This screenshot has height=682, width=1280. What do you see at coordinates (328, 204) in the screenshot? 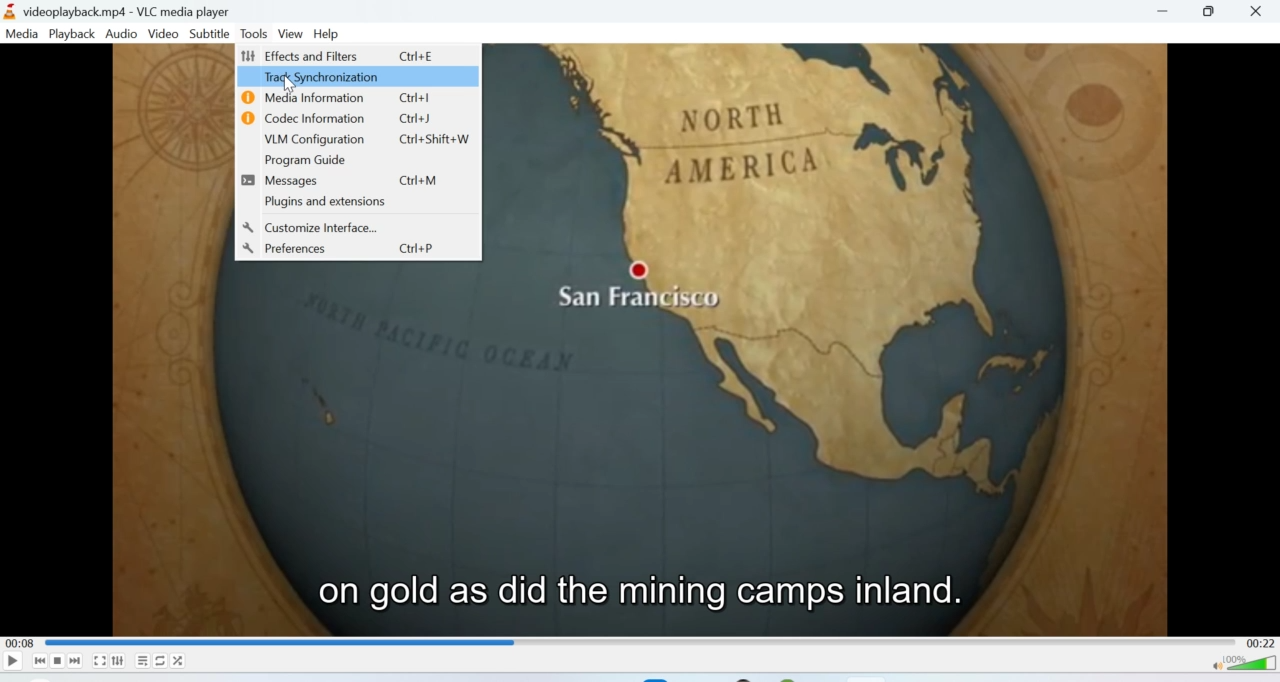
I see `Plugins and extensions` at bounding box center [328, 204].